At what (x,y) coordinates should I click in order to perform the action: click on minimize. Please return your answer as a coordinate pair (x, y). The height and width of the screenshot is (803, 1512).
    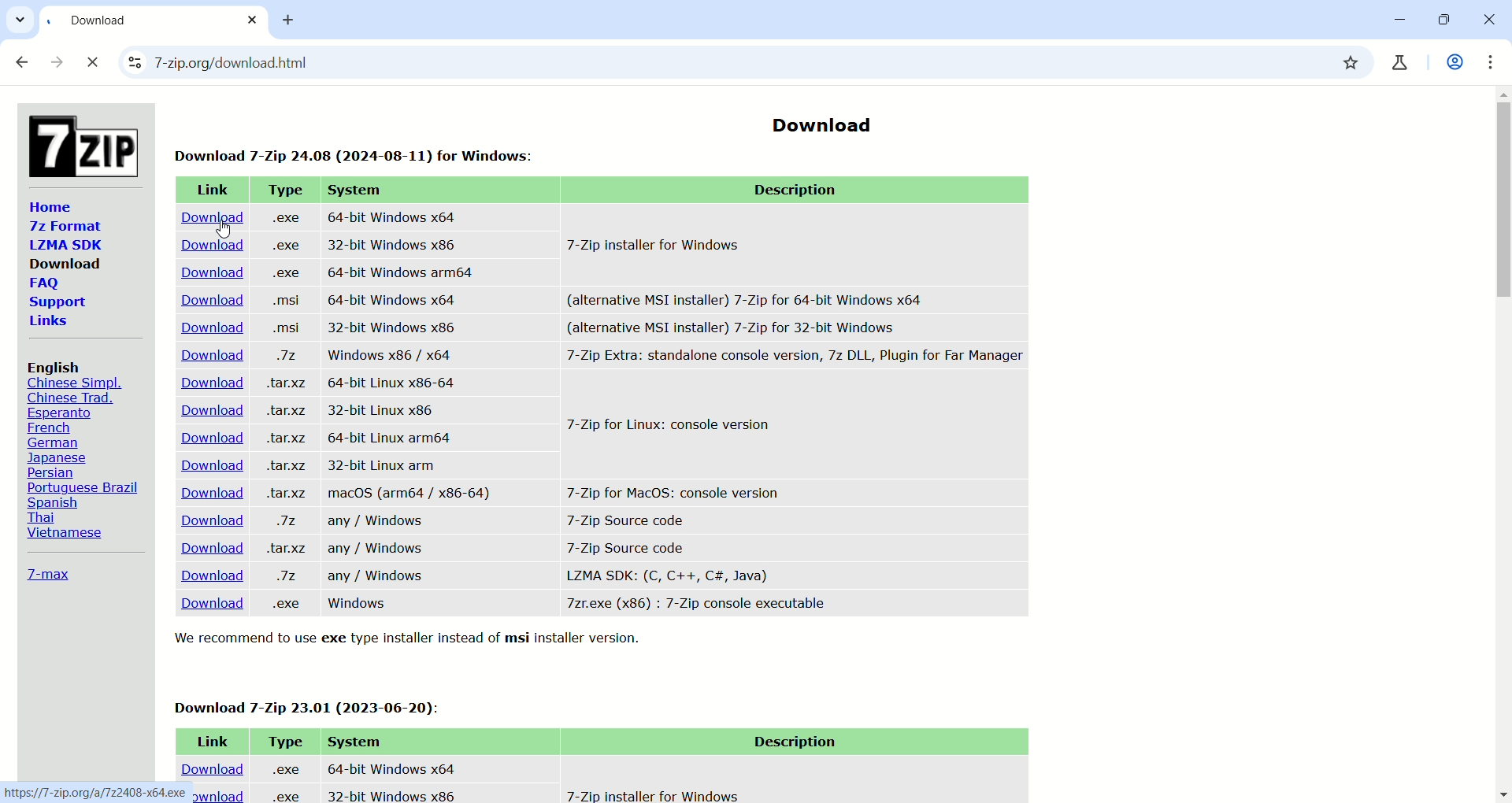
    Looking at the image, I should click on (1488, 22).